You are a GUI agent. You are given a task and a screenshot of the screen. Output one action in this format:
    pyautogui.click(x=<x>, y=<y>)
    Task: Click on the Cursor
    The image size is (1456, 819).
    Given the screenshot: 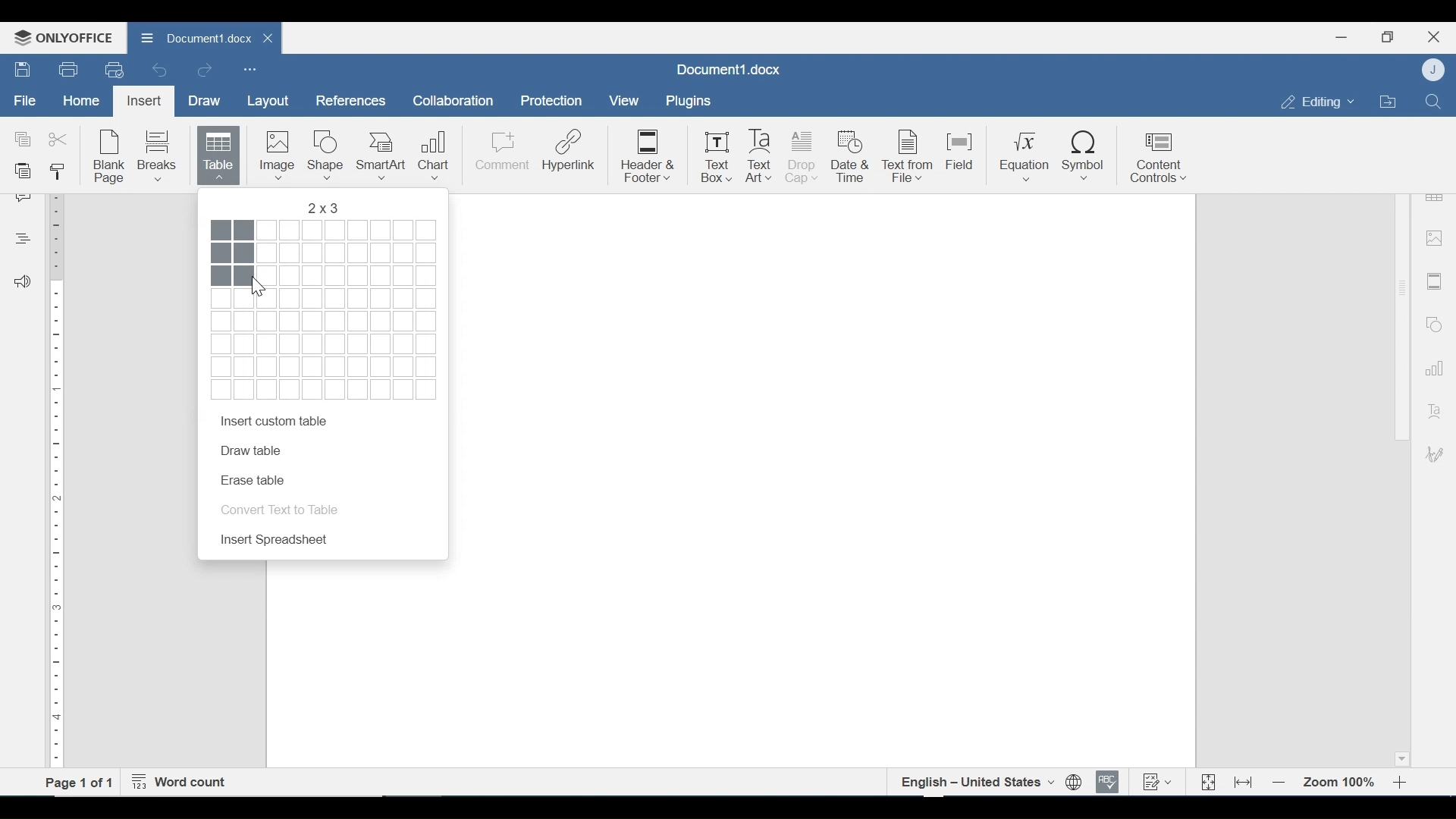 What is the action you would take?
    pyautogui.click(x=257, y=288)
    